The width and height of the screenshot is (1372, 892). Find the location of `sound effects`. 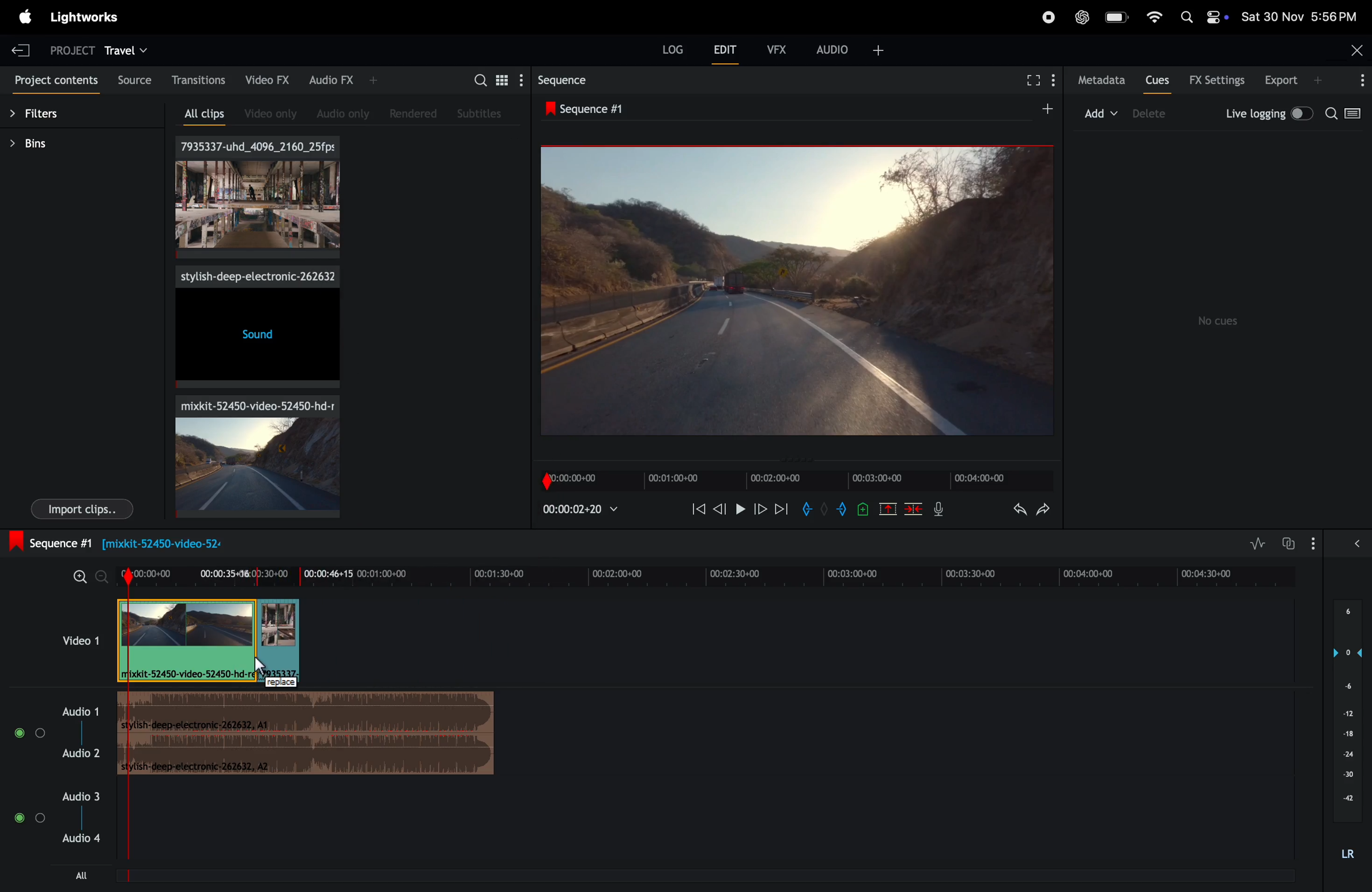

sound effects is located at coordinates (256, 327).